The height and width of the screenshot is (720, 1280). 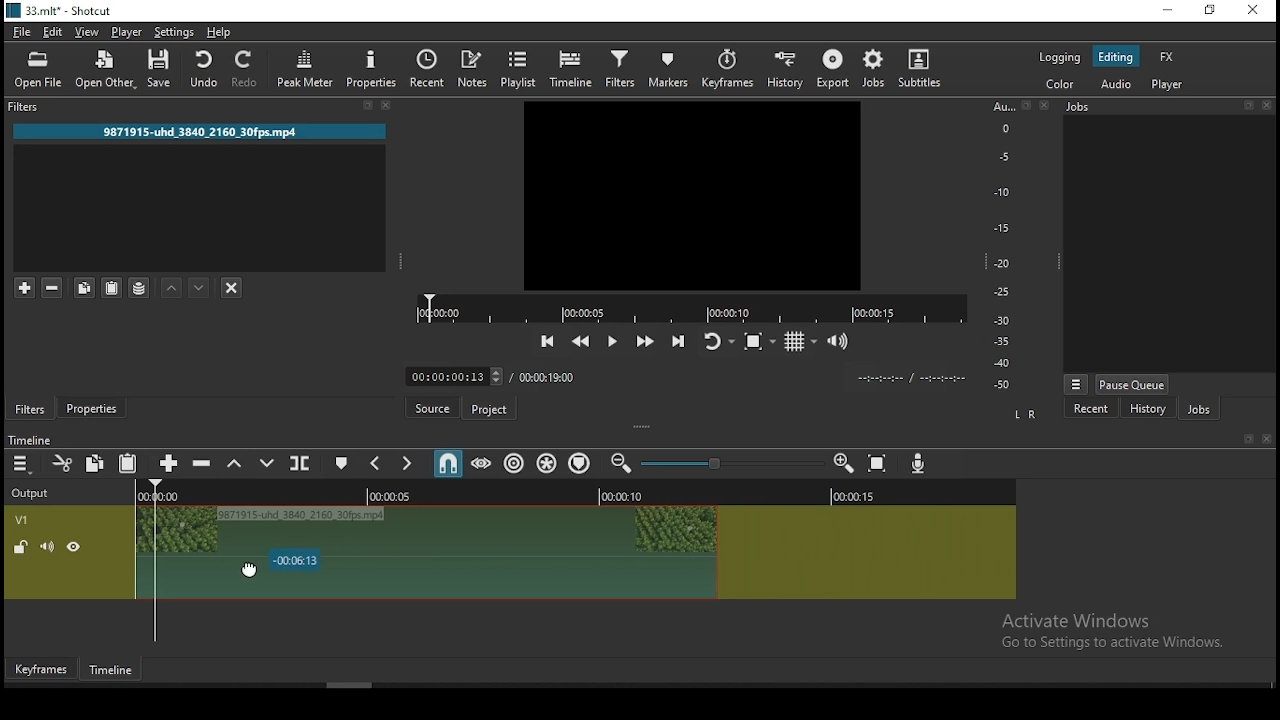 What do you see at coordinates (1085, 106) in the screenshot?
I see `Jobs` at bounding box center [1085, 106].